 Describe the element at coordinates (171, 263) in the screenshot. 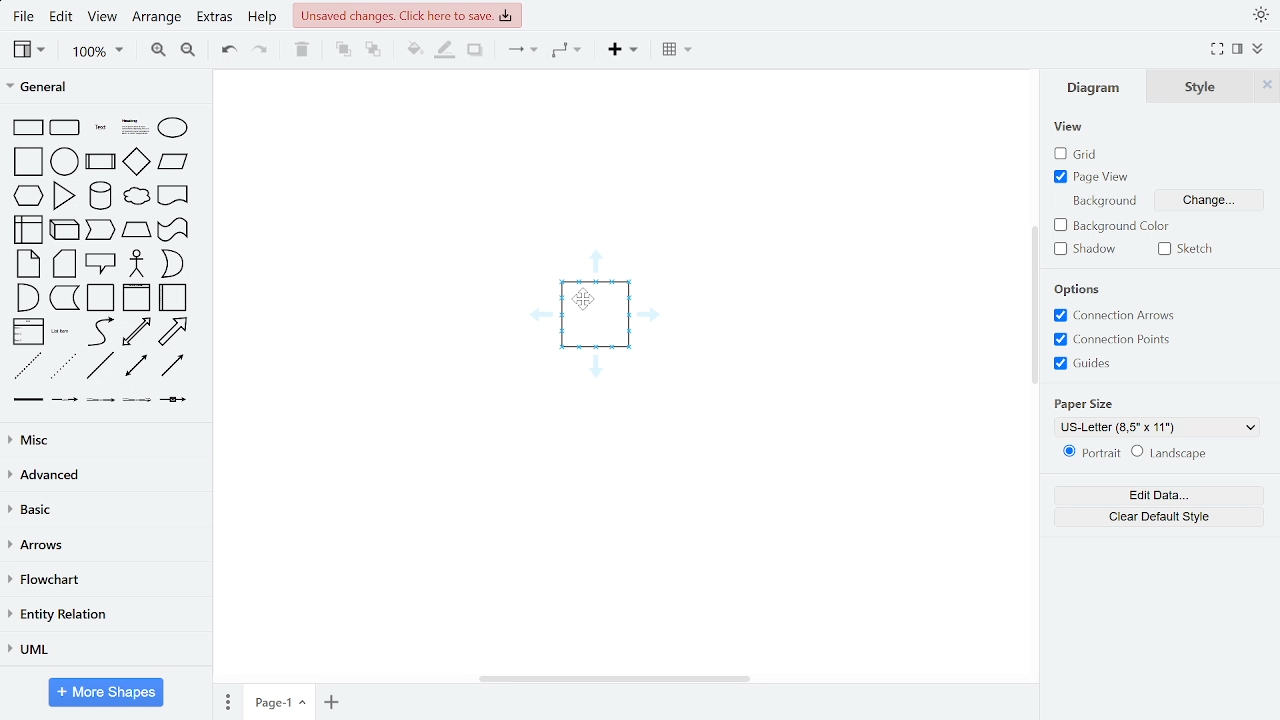

I see `general shapes` at that location.